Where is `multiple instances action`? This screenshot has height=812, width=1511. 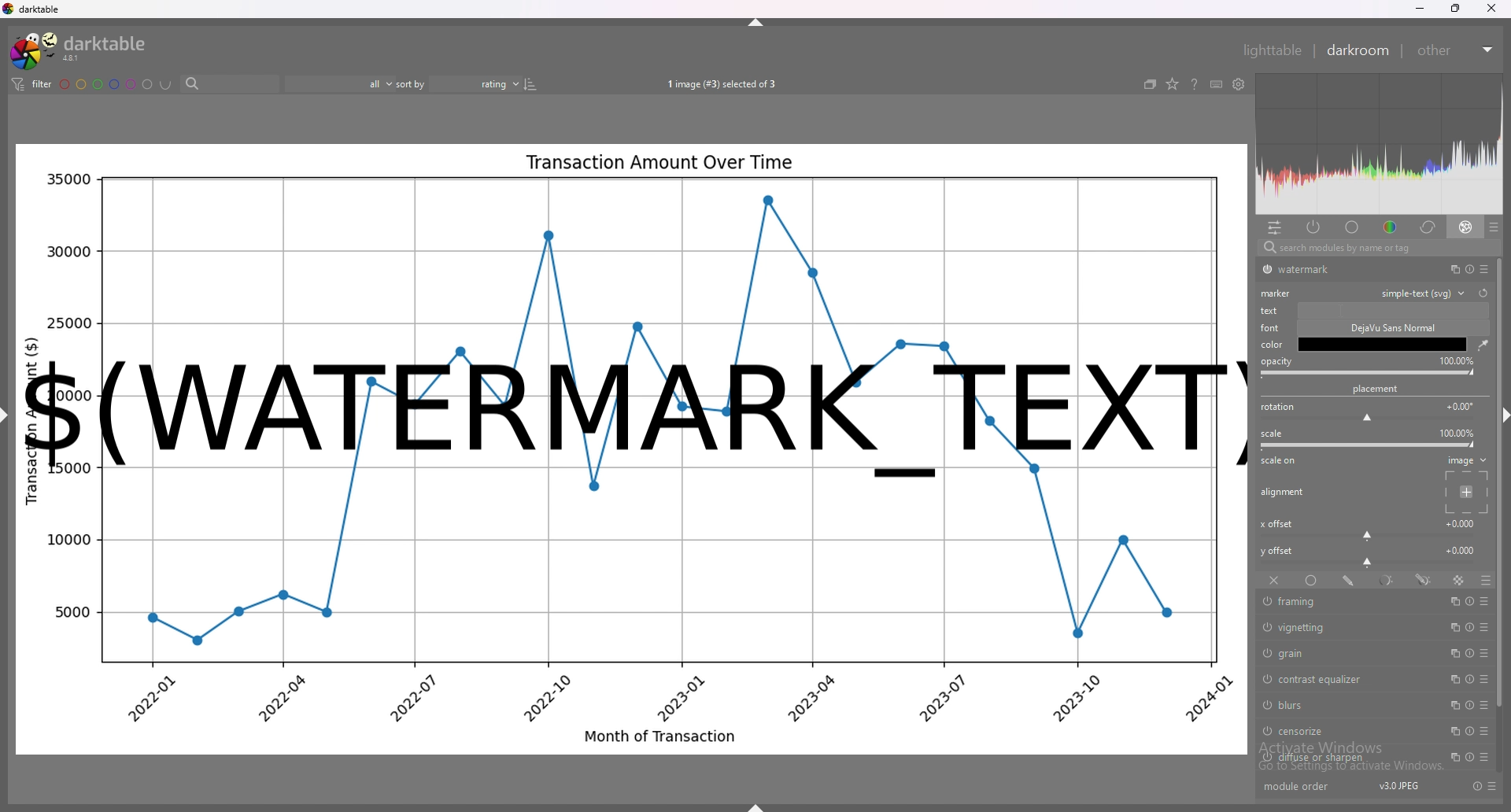
multiple instances action is located at coordinates (1454, 600).